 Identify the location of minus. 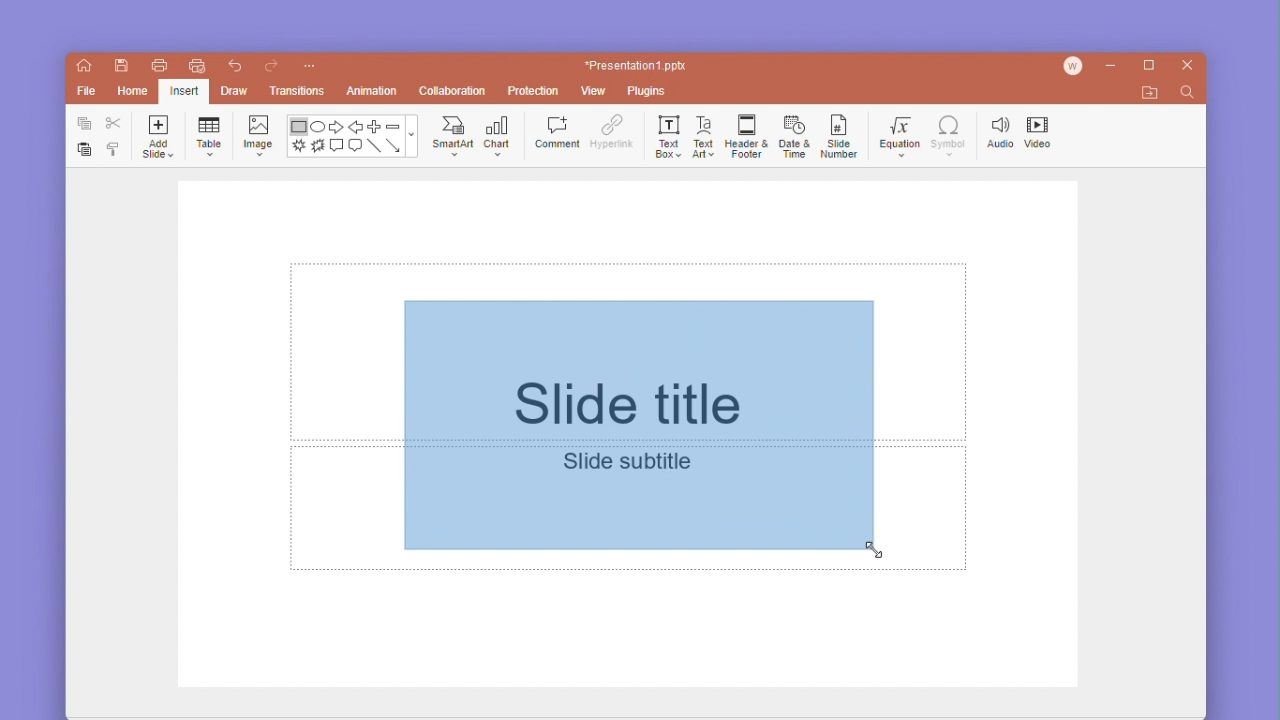
(393, 125).